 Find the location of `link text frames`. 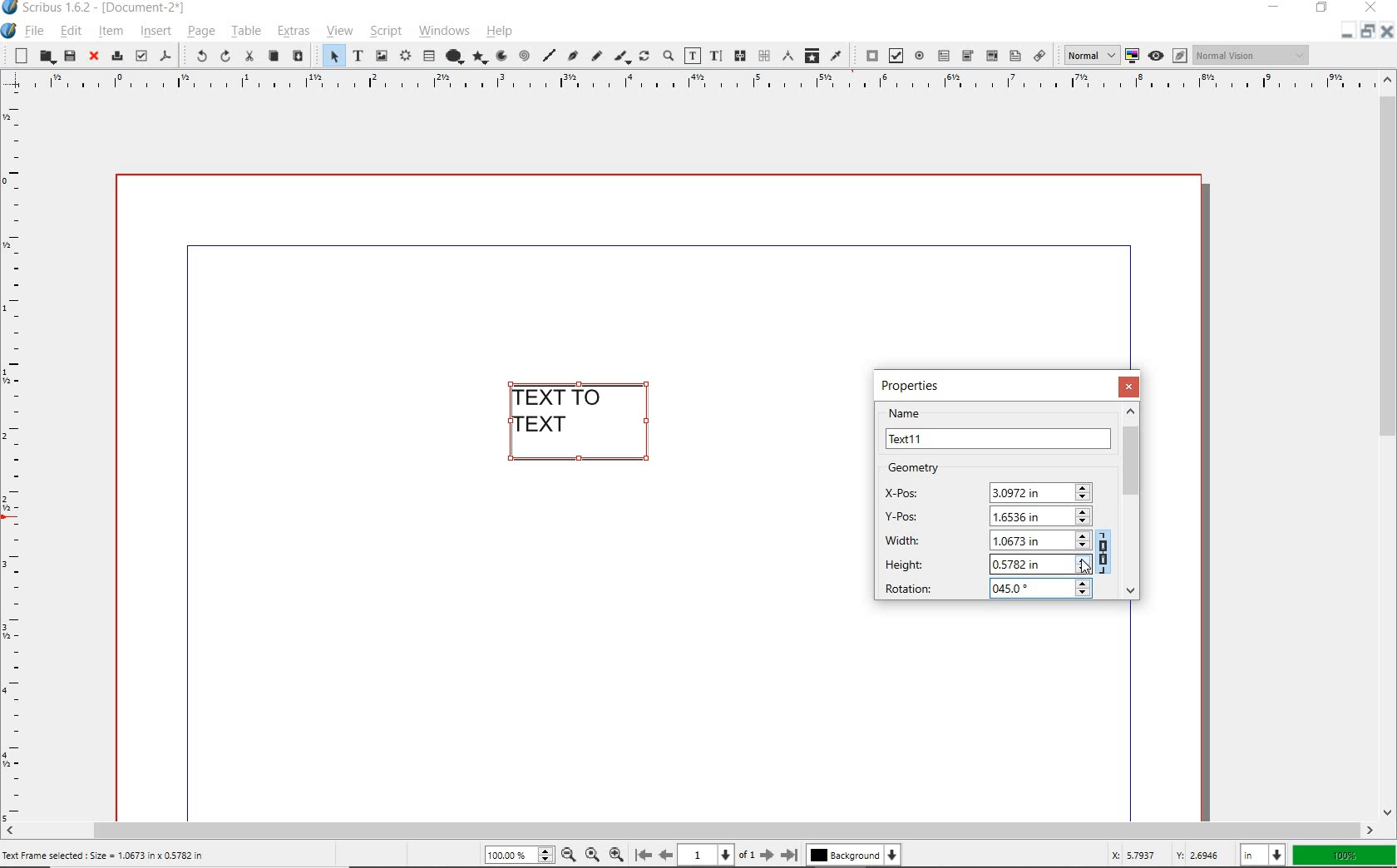

link text frames is located at coordinates (740, 56).